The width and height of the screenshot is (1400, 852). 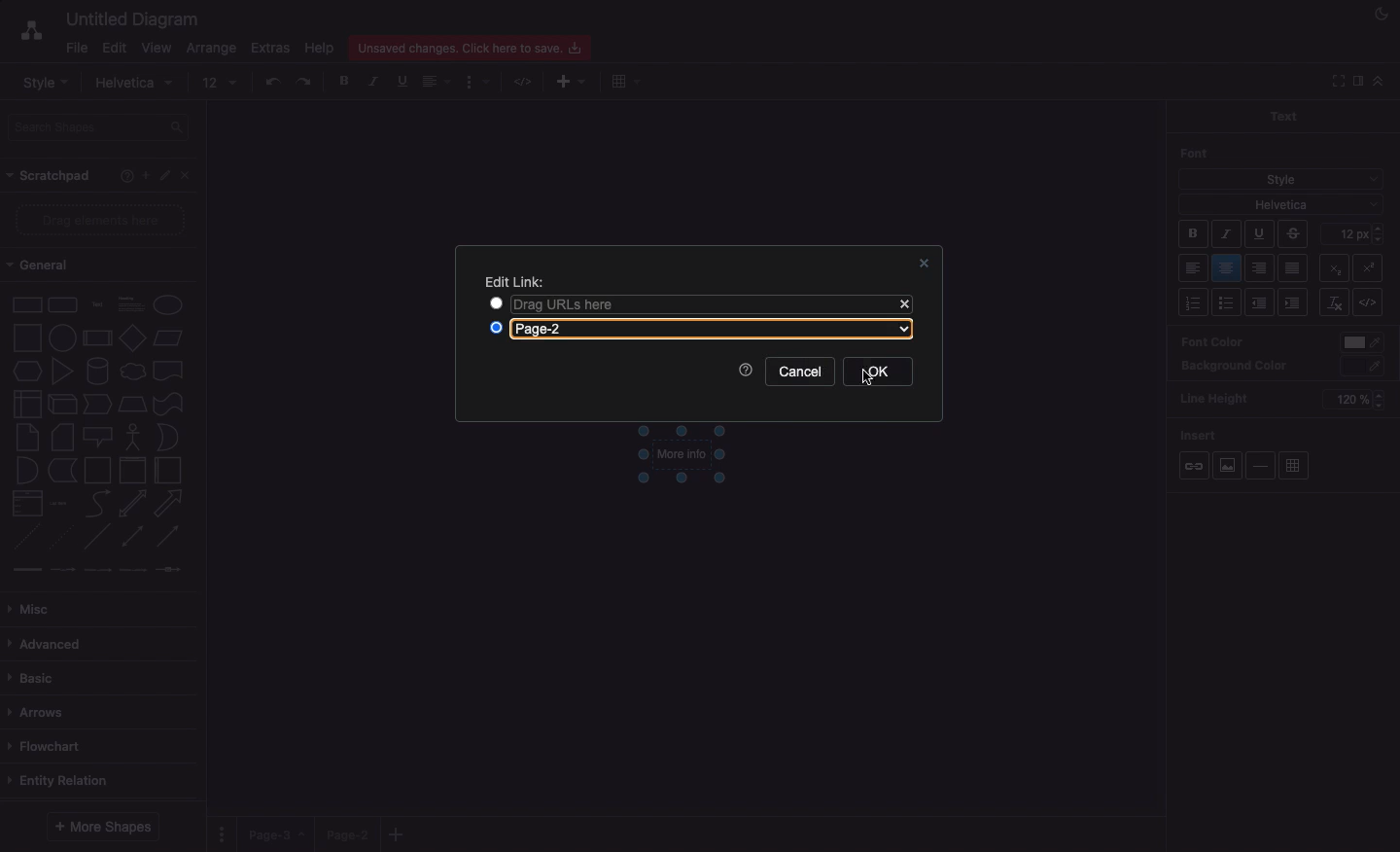 I want to click on Help, so click(x=122, y=178).